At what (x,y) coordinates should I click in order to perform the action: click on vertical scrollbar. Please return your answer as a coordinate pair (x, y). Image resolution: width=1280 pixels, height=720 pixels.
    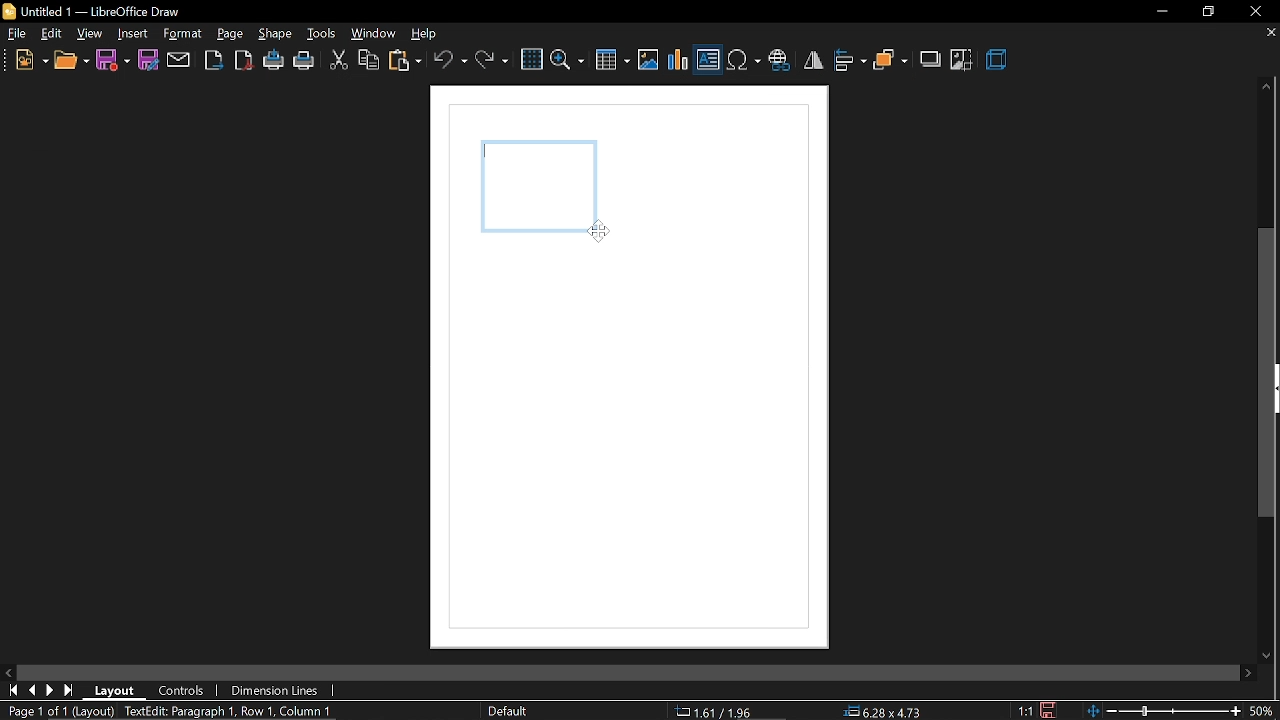
    Looking at the image, I should click on (1268, 373).